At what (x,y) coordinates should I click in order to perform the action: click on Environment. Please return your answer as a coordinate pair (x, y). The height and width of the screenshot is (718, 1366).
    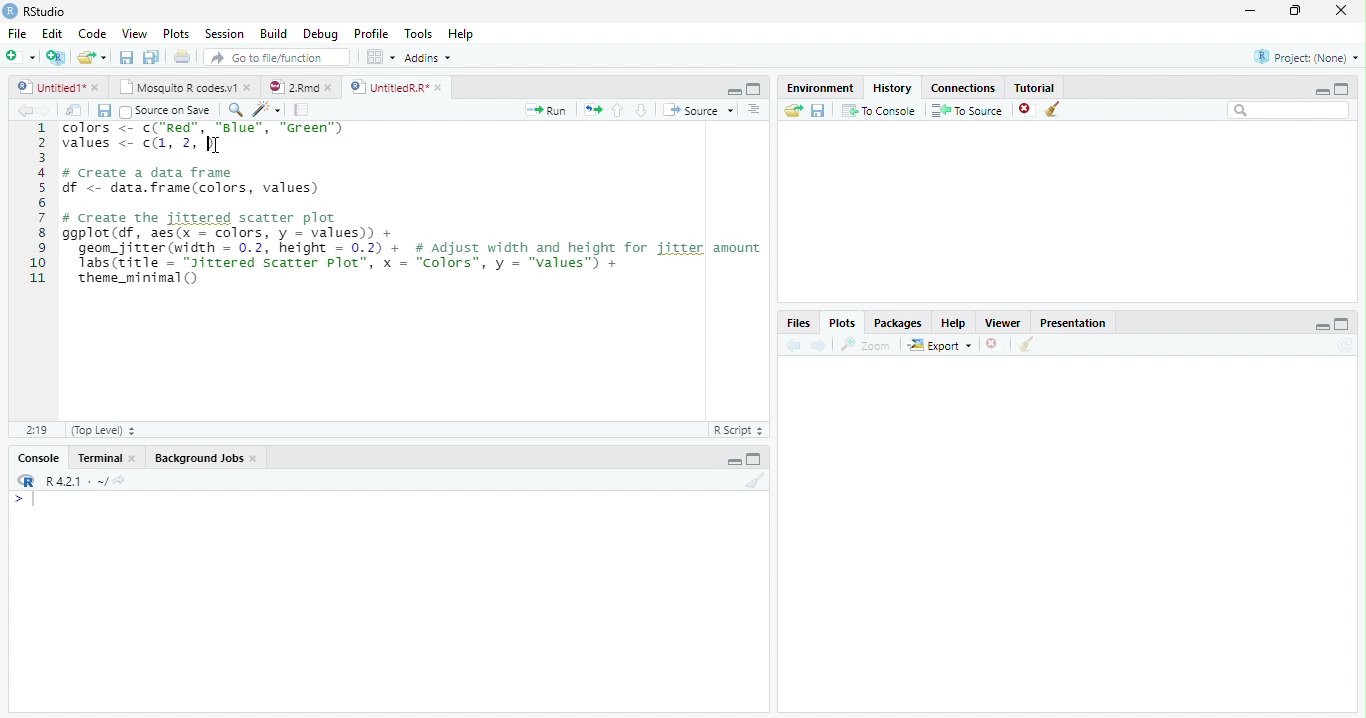
    Looking at the image, I should click on (819, 87).